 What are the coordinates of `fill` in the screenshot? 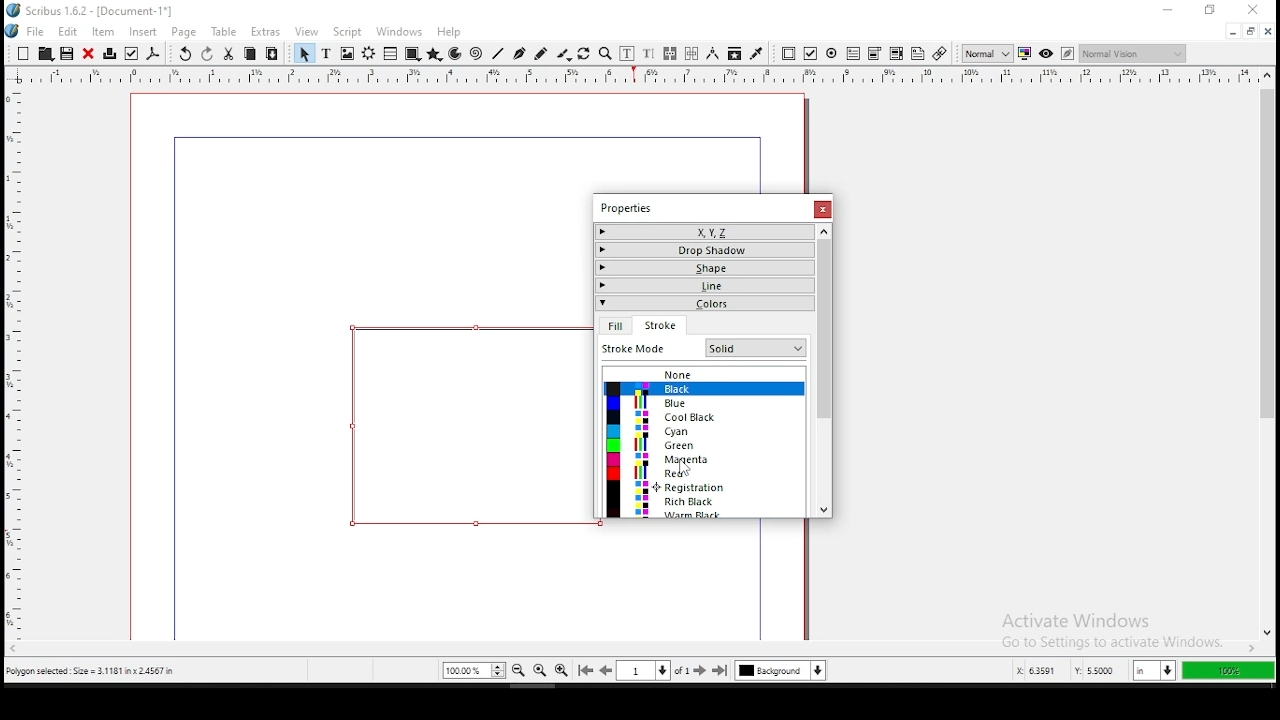 It's located at (615, 327).